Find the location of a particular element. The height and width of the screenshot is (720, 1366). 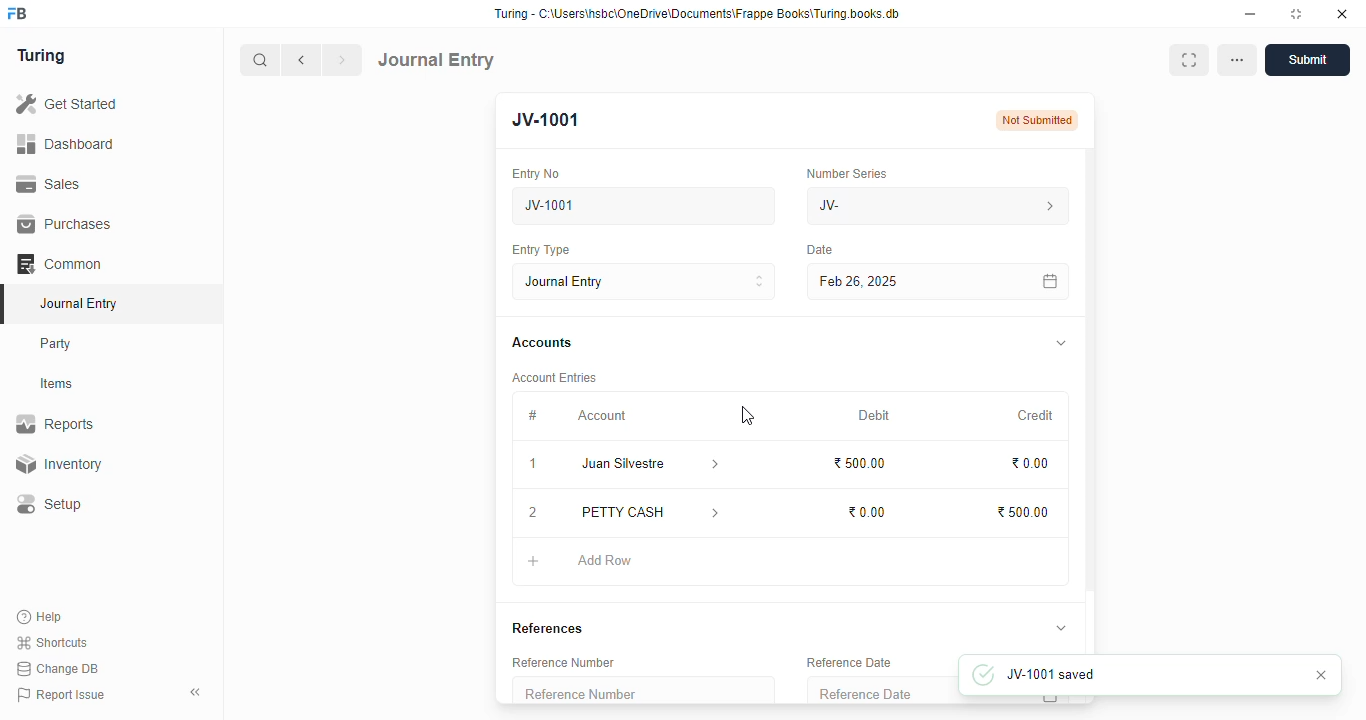

options is located at coordinates (1238, 60).